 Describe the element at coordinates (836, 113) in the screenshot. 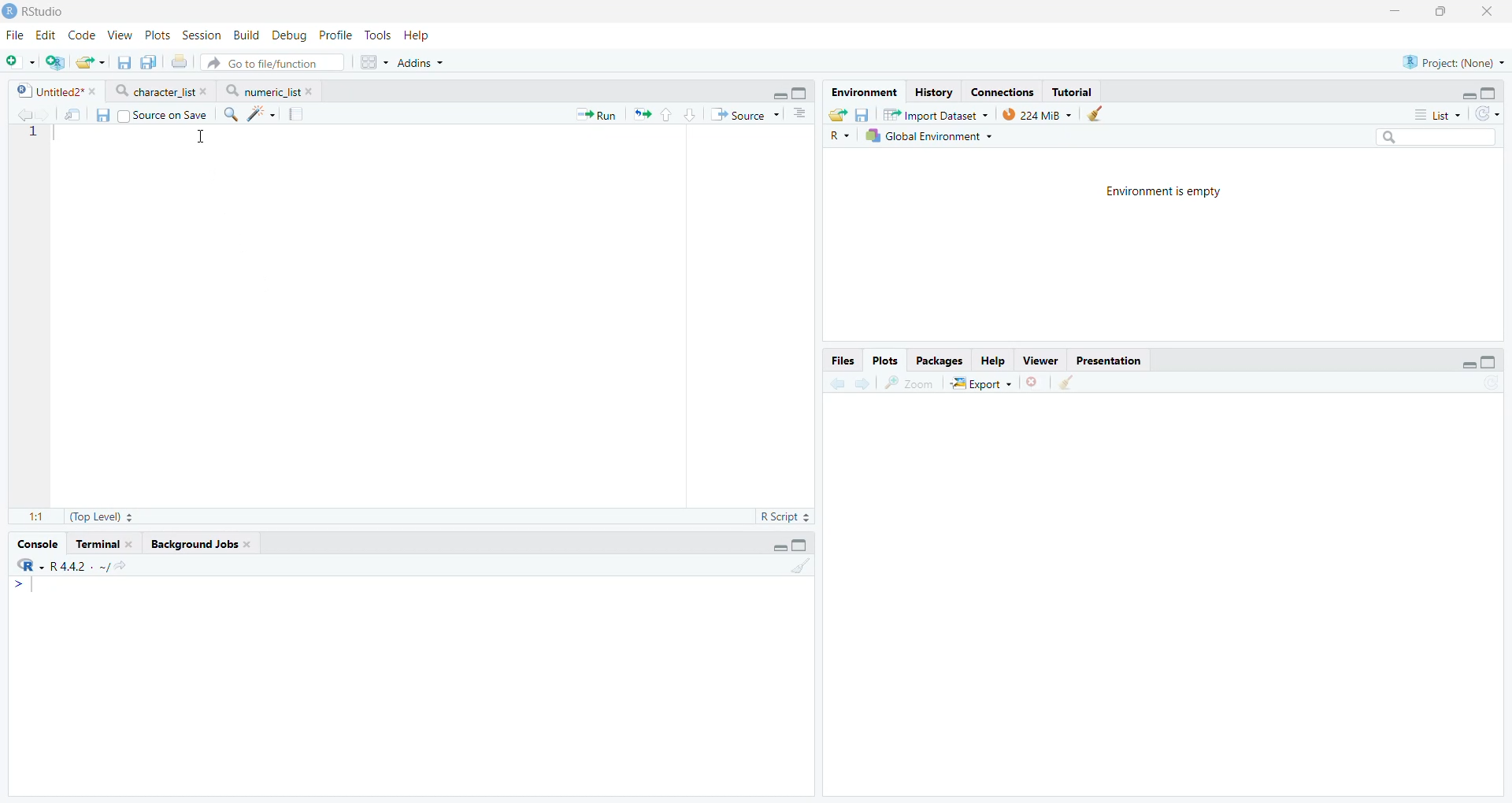

I see `Export history logs` at that location.